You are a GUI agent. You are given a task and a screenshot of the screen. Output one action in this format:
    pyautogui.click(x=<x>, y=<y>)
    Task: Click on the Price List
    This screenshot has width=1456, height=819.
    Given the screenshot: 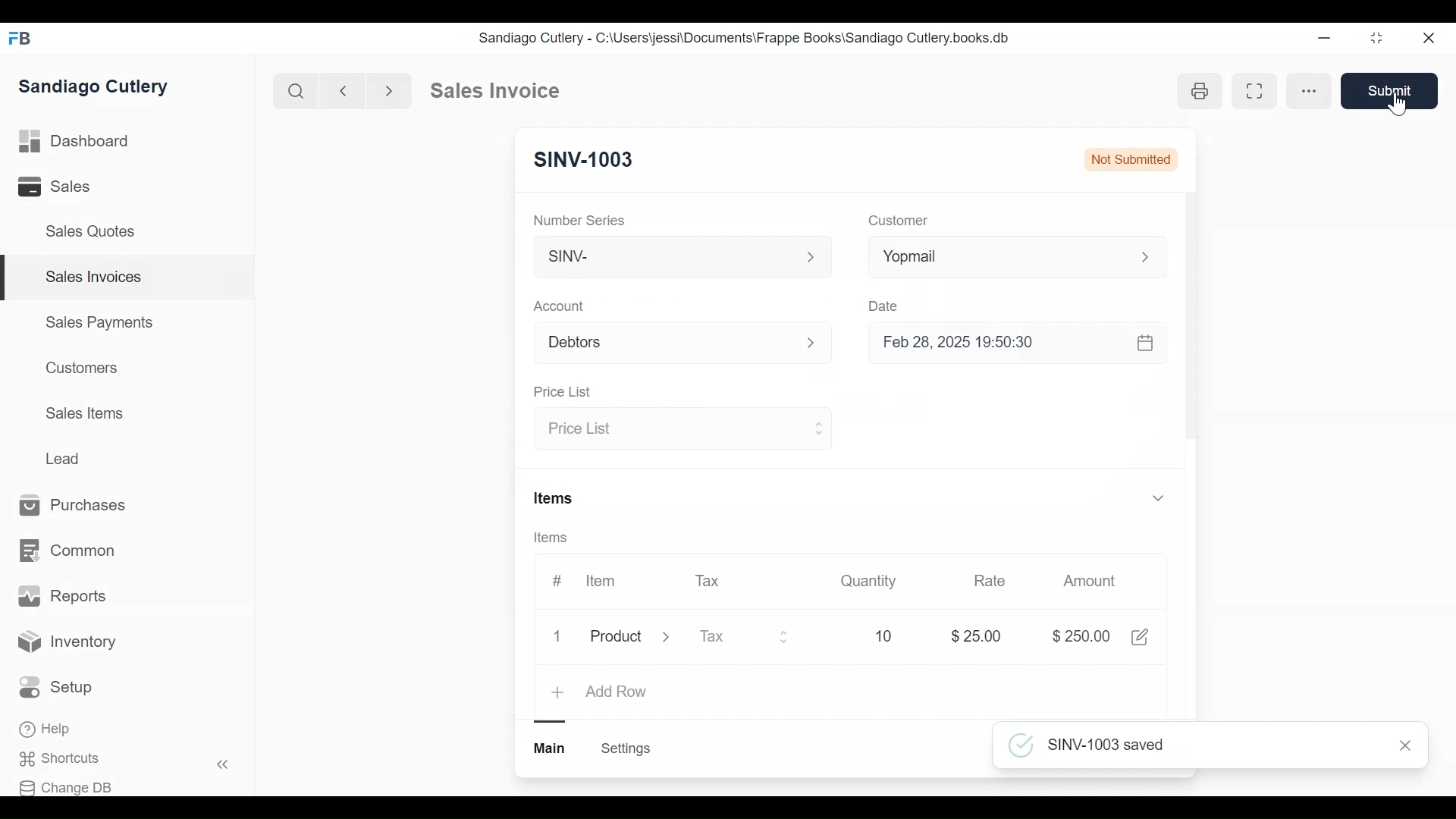 What is the action you would take?
    pyautogui.click(x=680, y=430)
    